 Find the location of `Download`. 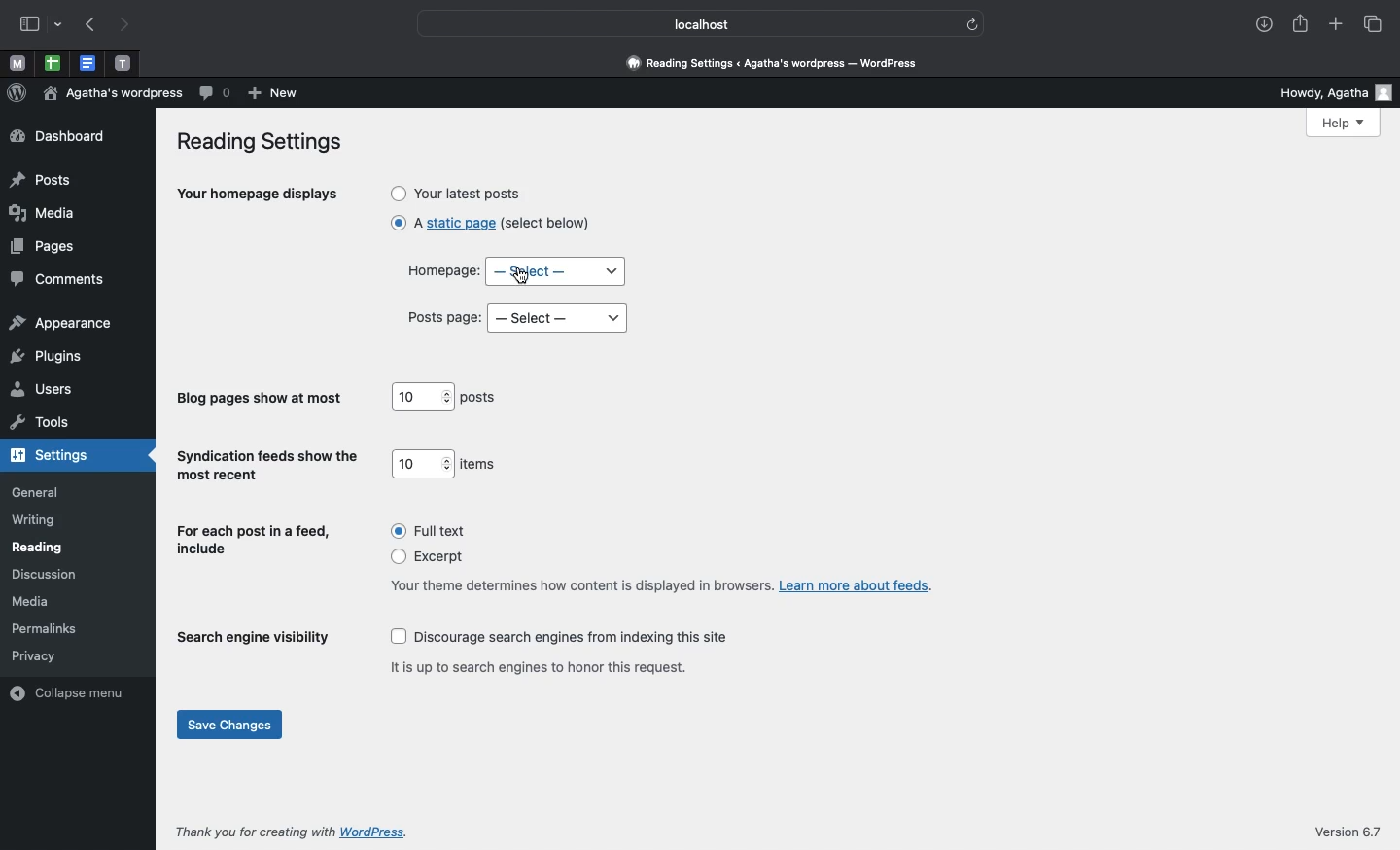

Download is located at coordinates (1259, 21).